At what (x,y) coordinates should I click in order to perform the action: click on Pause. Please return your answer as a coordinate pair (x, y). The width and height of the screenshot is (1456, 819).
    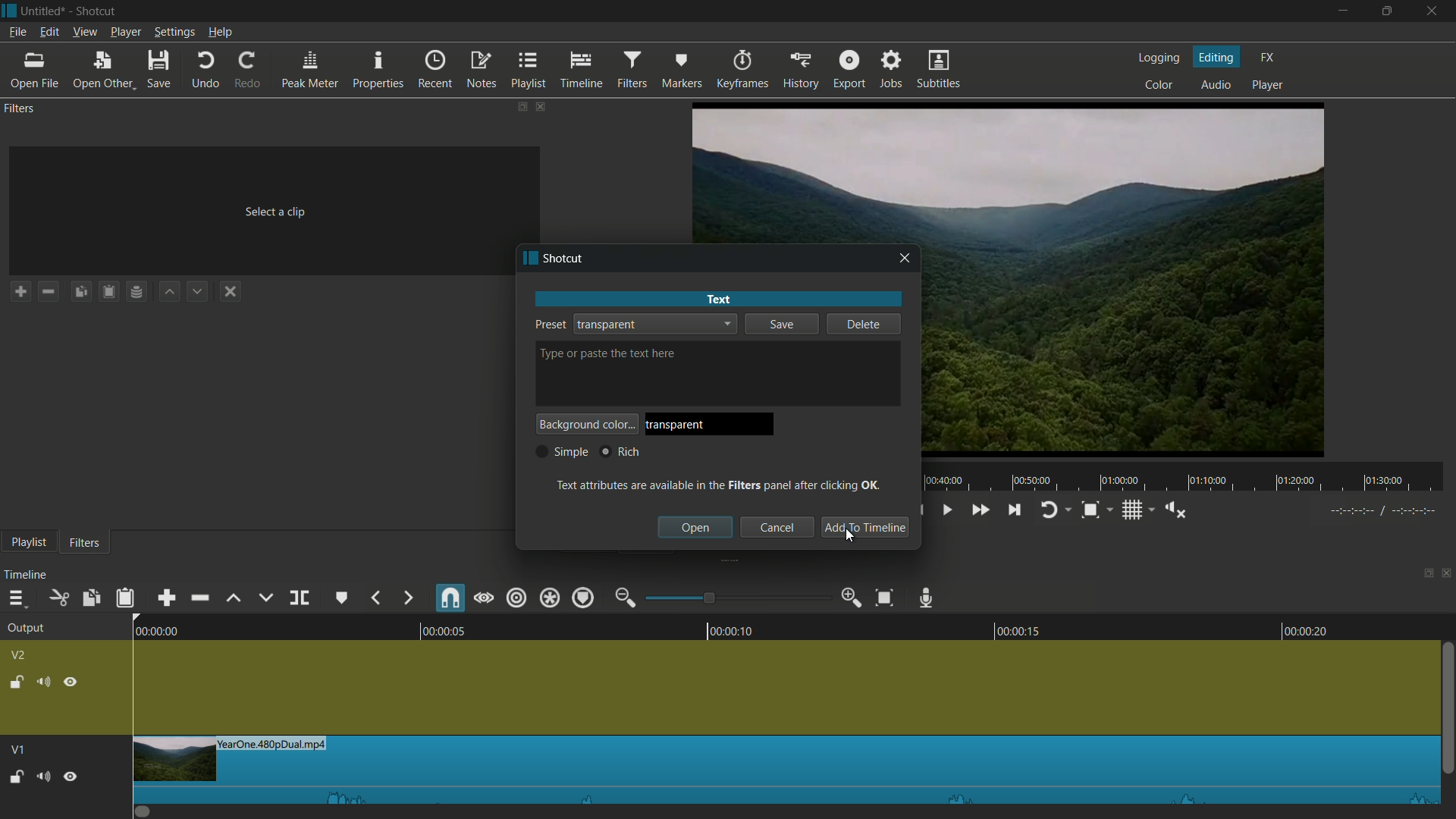
    Looking at the image, I should click on (71, 775).